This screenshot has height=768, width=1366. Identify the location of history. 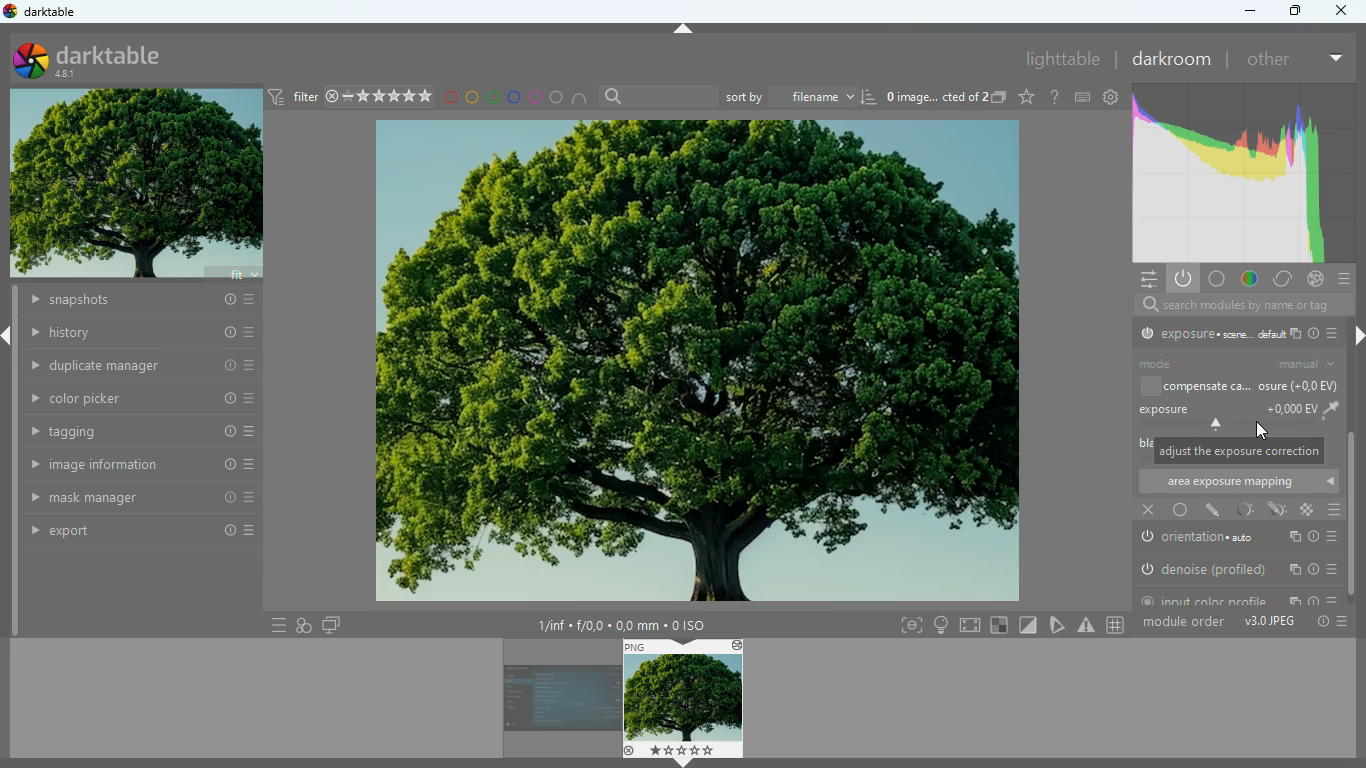
(140, 334).